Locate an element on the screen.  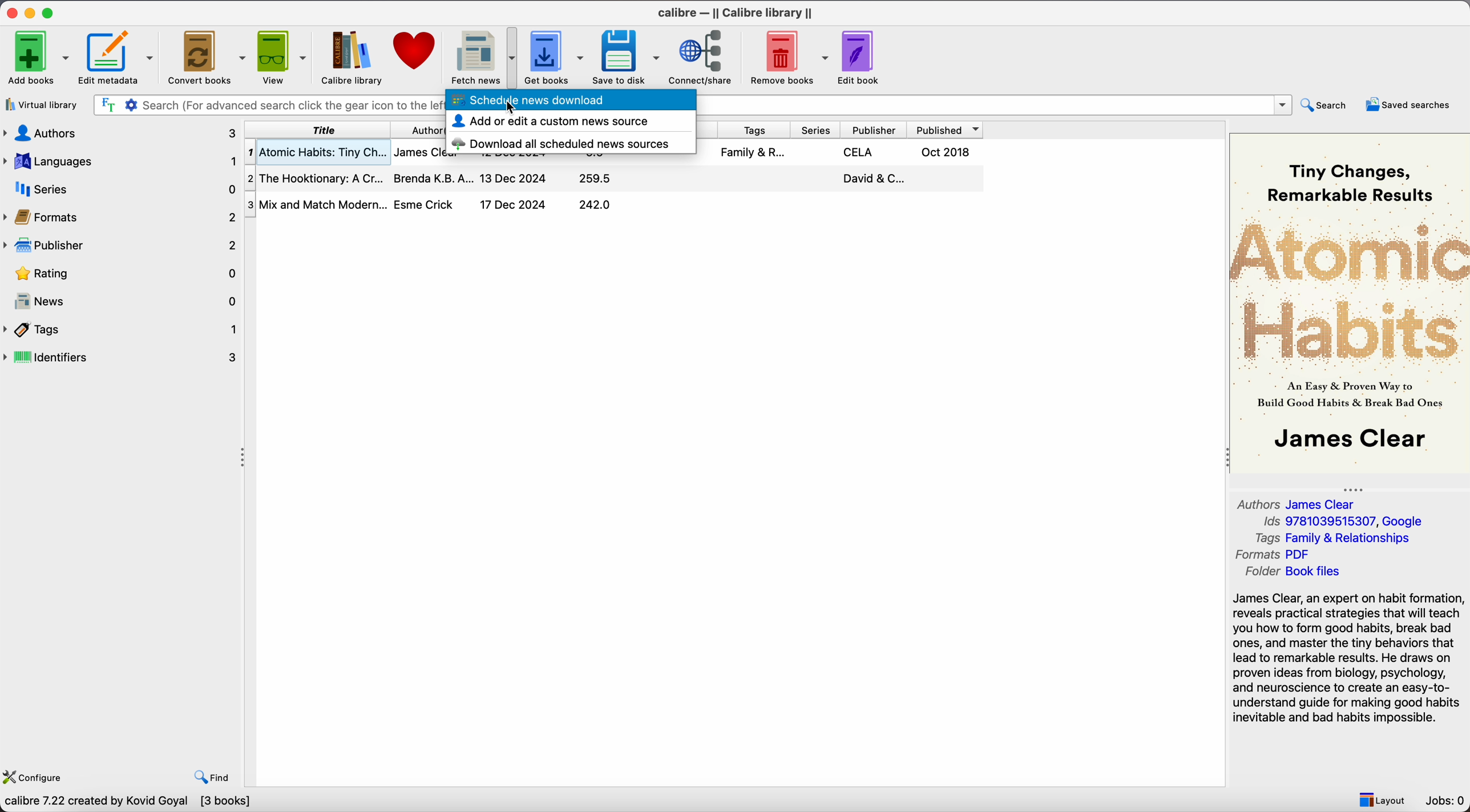
view is located at coordinates (281, 57).